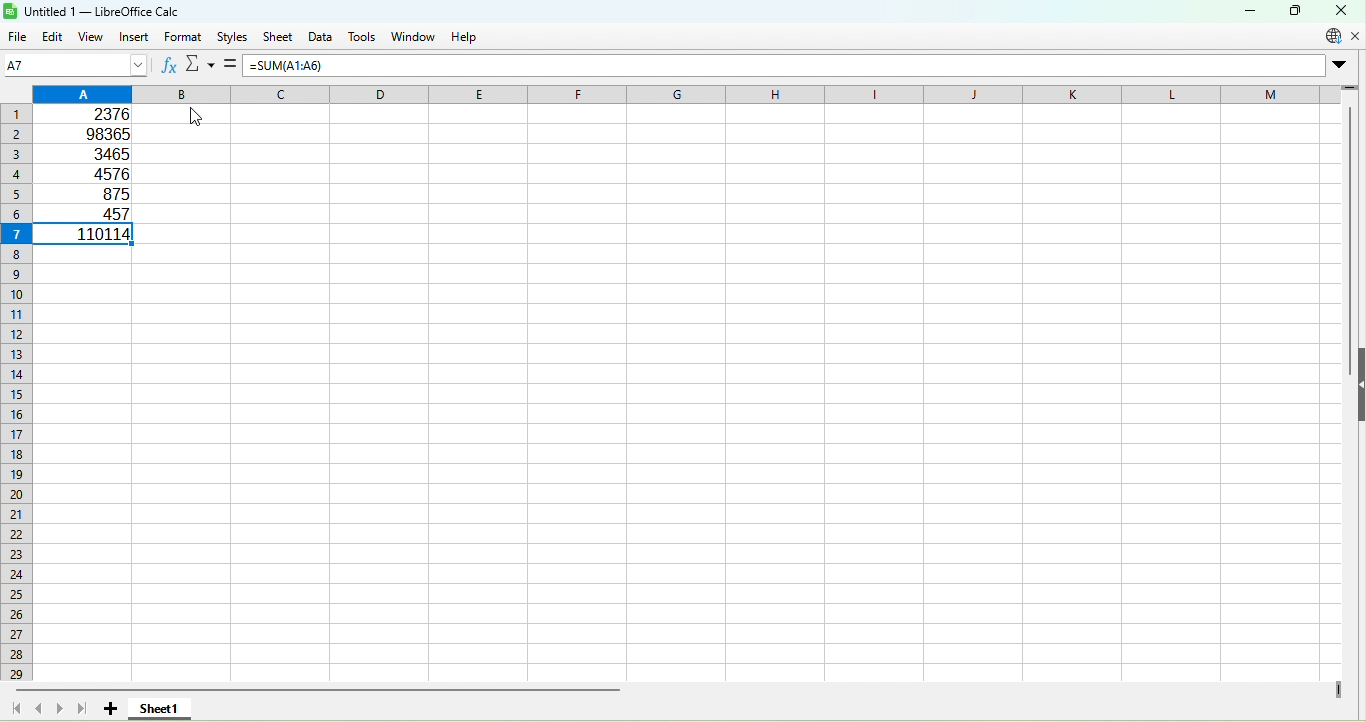  I want to click on File, so click(18, 38).